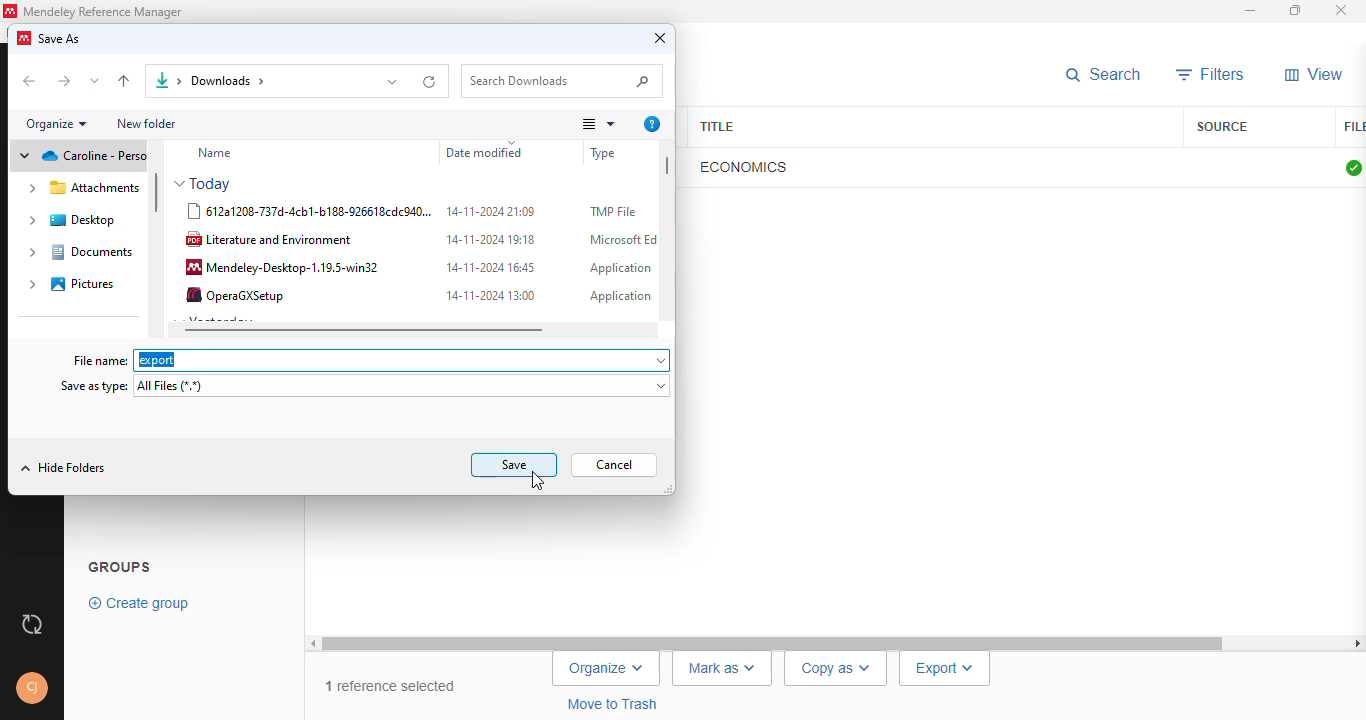 The width and height of the screenshot is (1366, 720). What do you see at coordinates (614, 152) in the screenshot?
I see `file type` at bounding box center [614, 152].